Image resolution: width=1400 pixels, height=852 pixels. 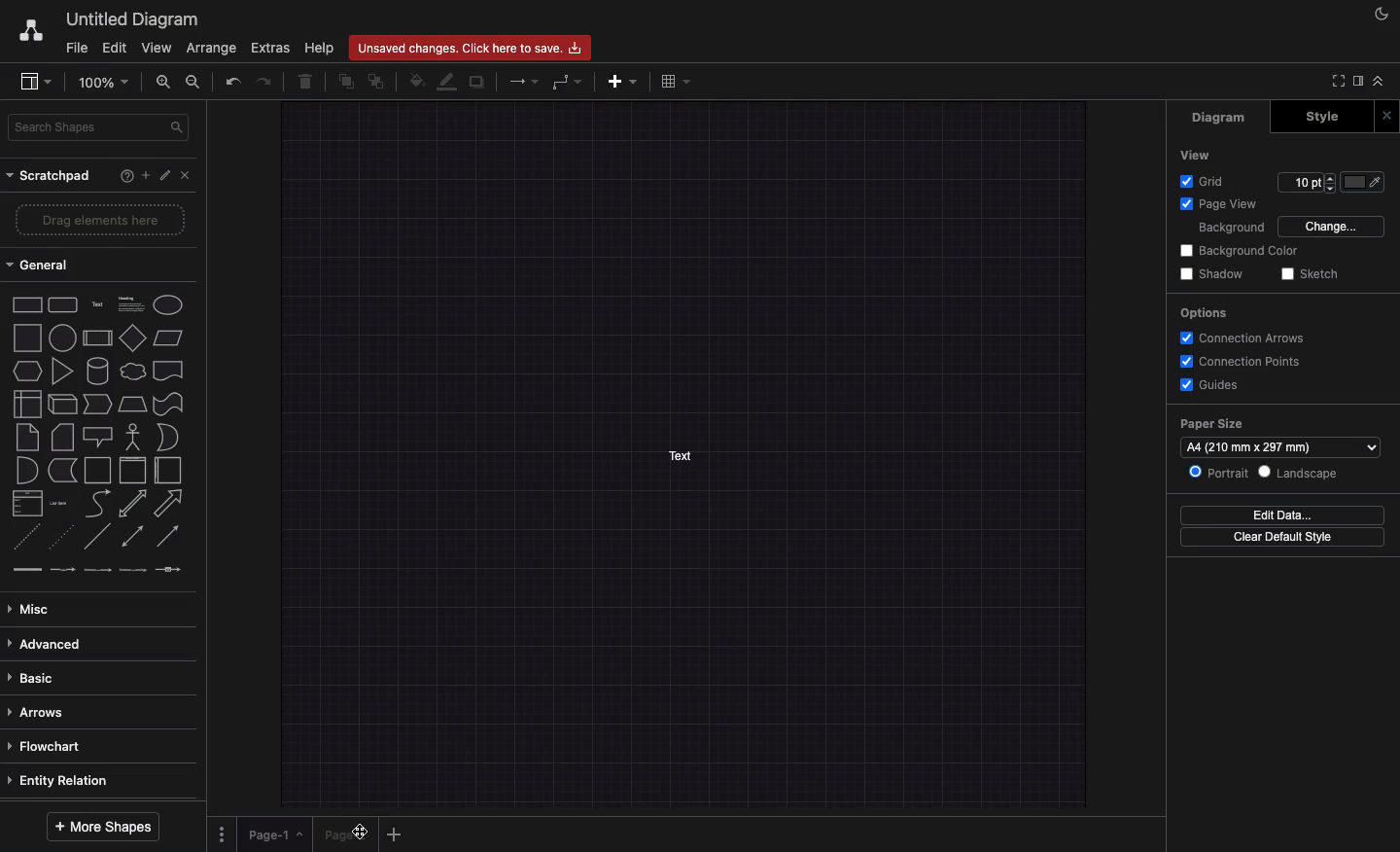 What do you see at coordinates (268, 47) in the screenshot?
I see `Extras` at bounding box center [268, 47].